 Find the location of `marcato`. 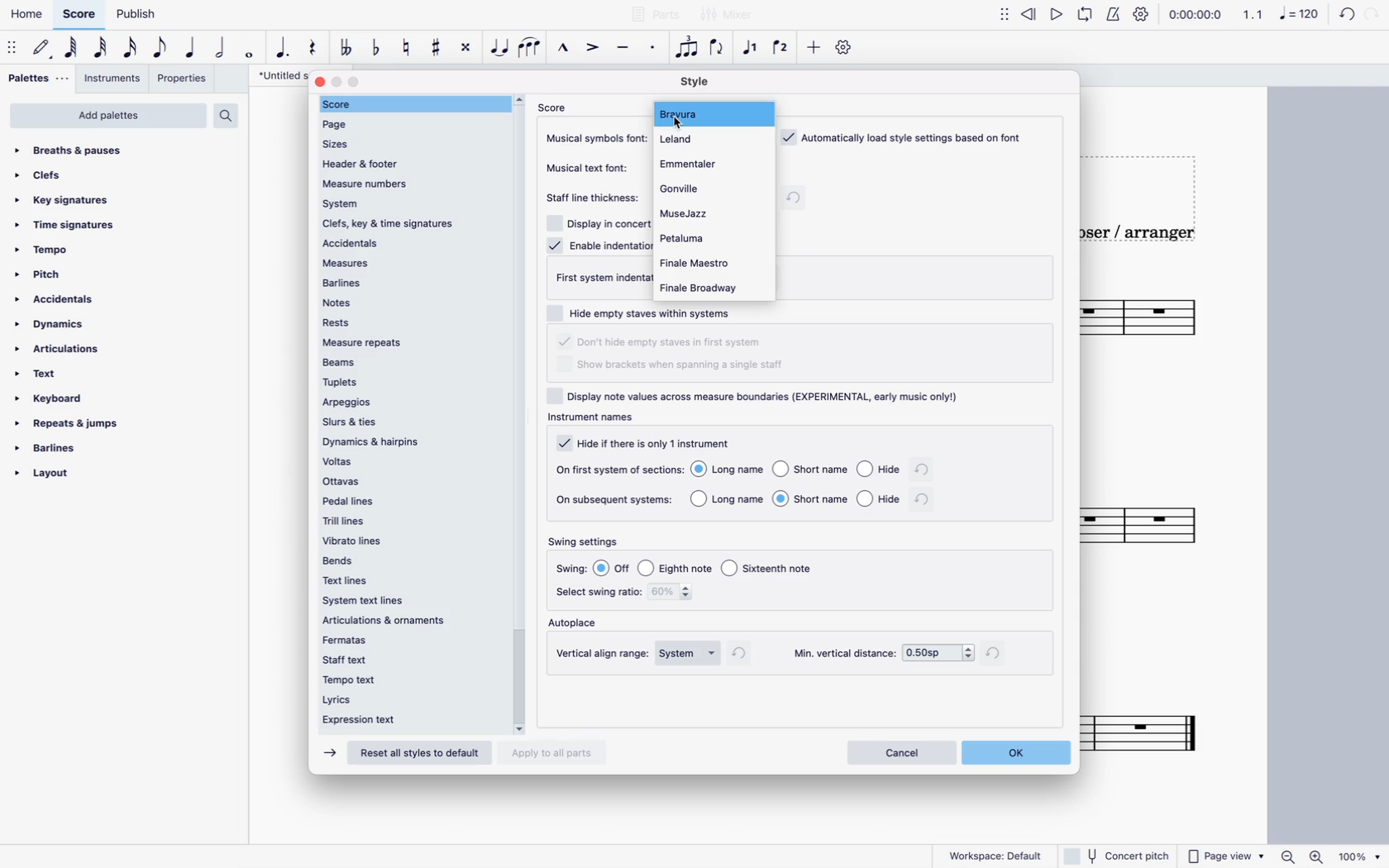

marcato is located at coordinates (563, 50).